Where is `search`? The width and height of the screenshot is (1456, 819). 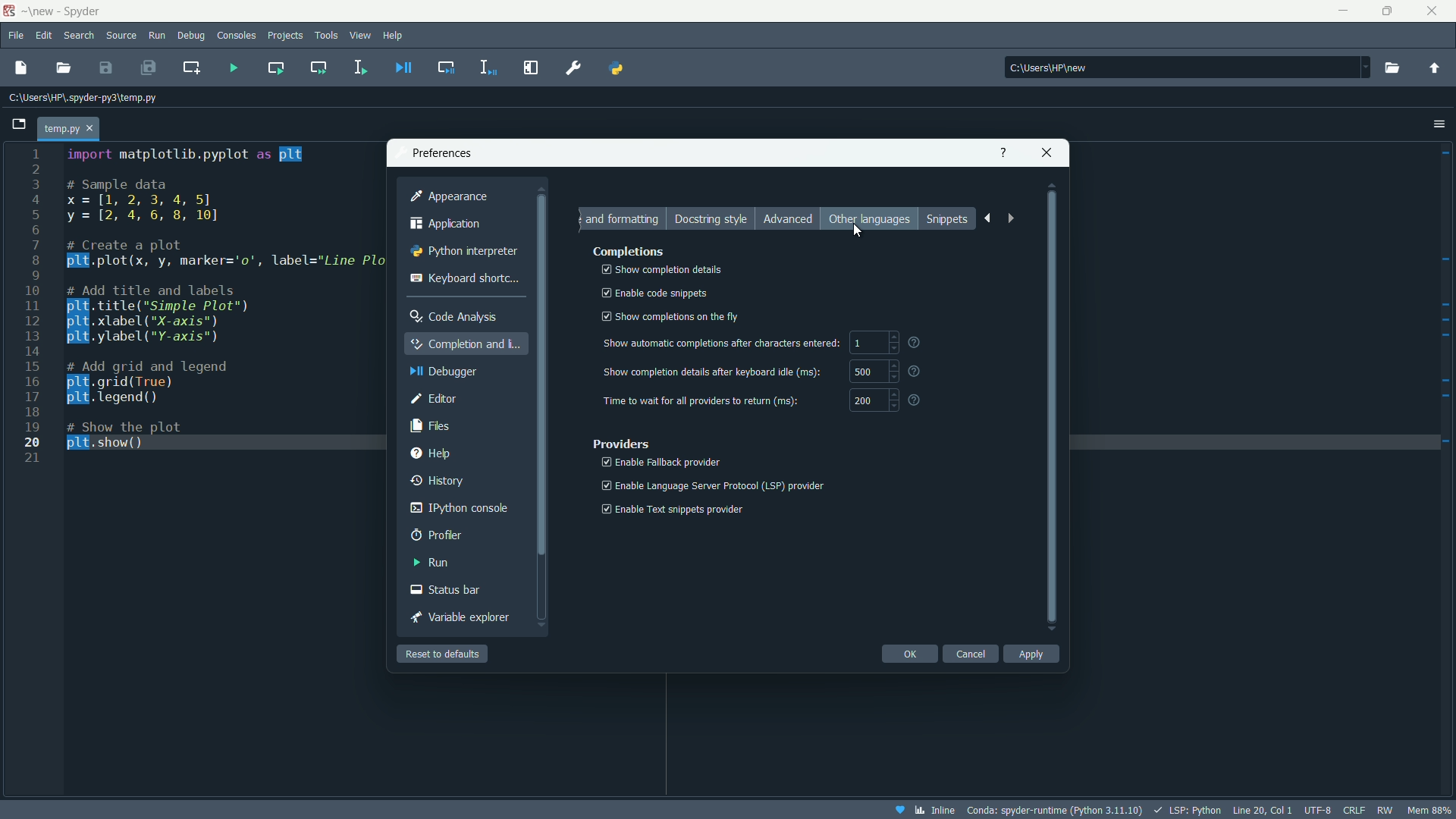
search is located at coordinates (79, 36).